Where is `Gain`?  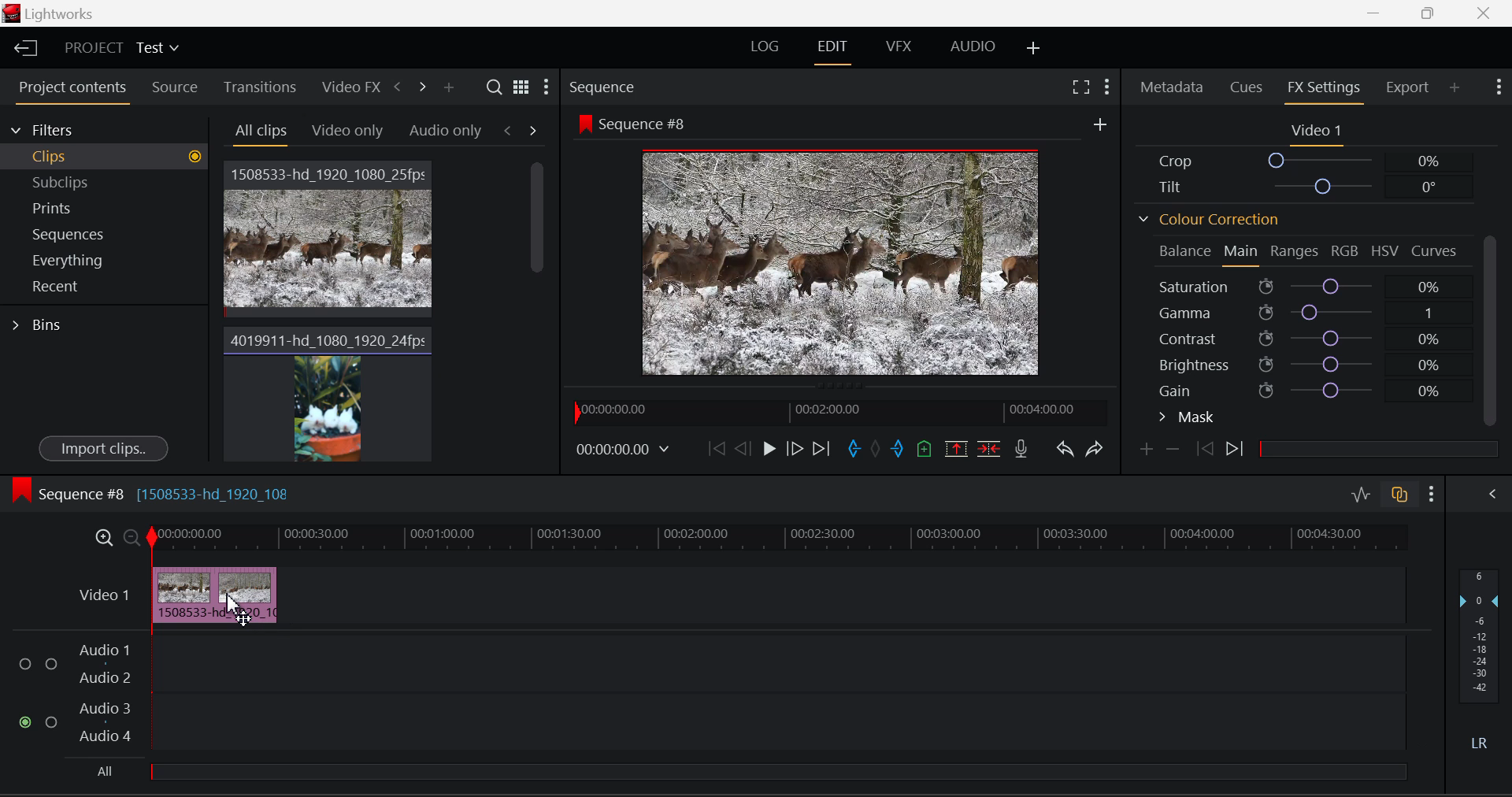 Gain is located at coordinates (1304, 393).